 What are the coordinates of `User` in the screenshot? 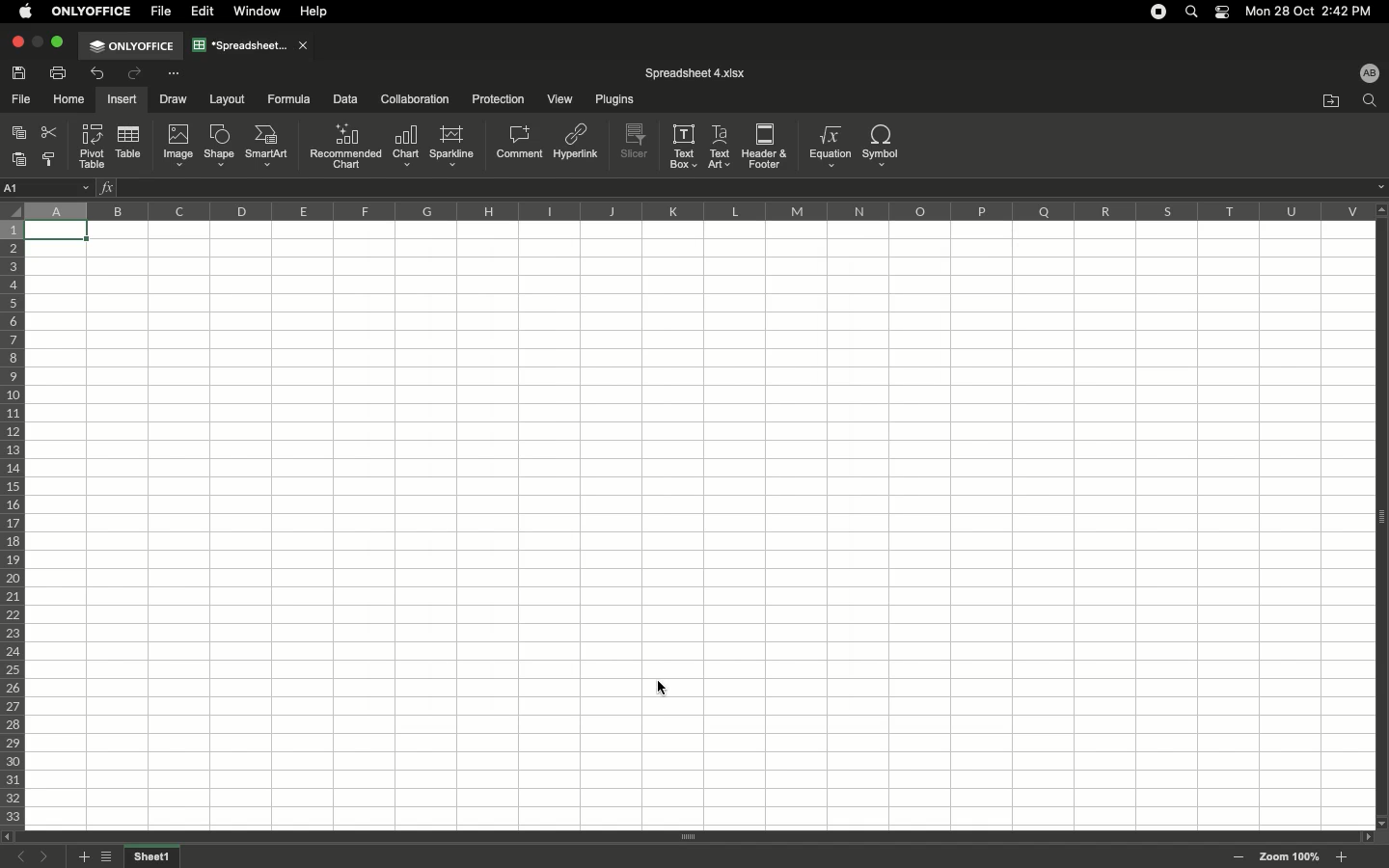 It's located at (1369, 72).